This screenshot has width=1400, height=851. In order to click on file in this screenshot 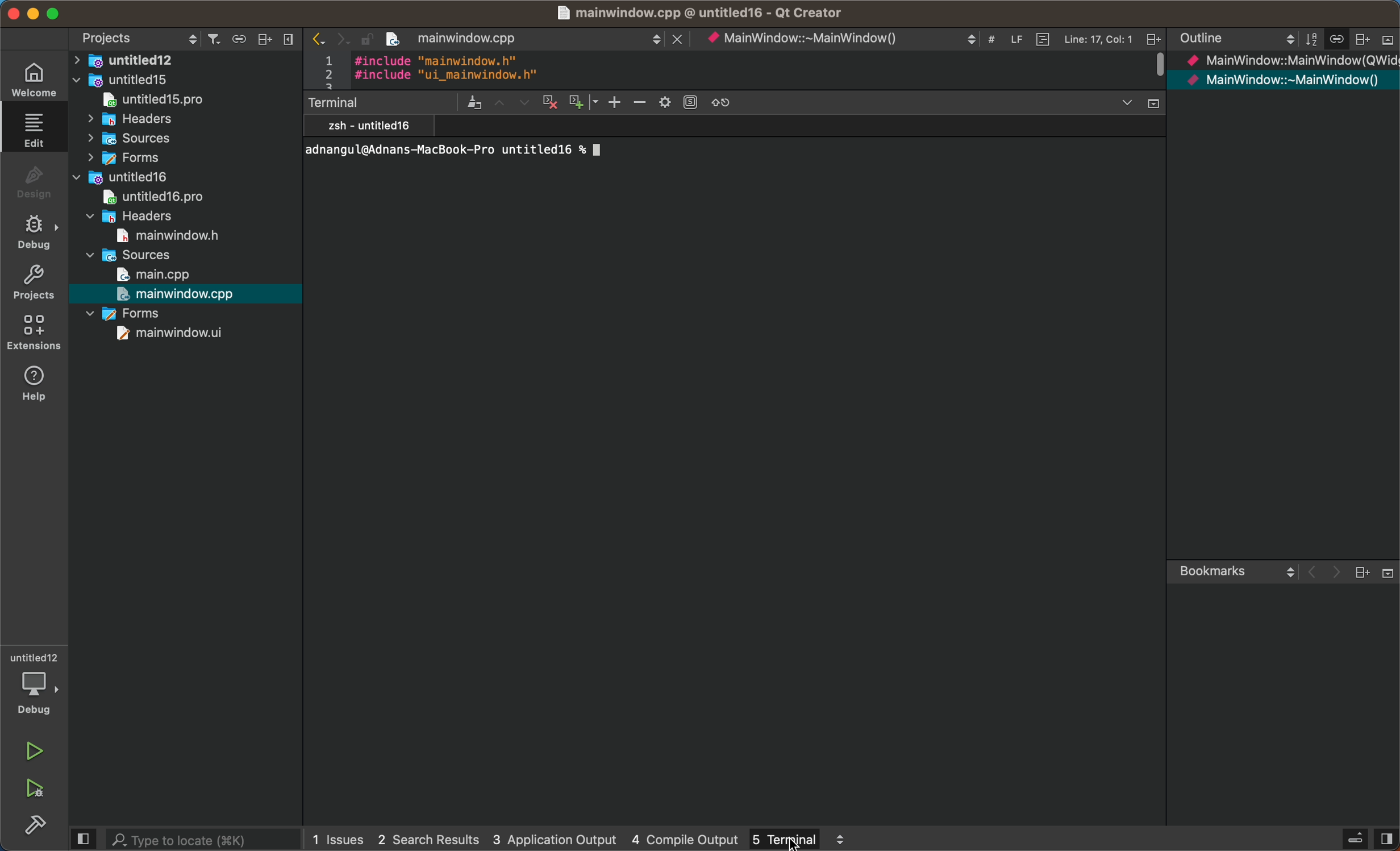, I will do `click(181, 333)`.